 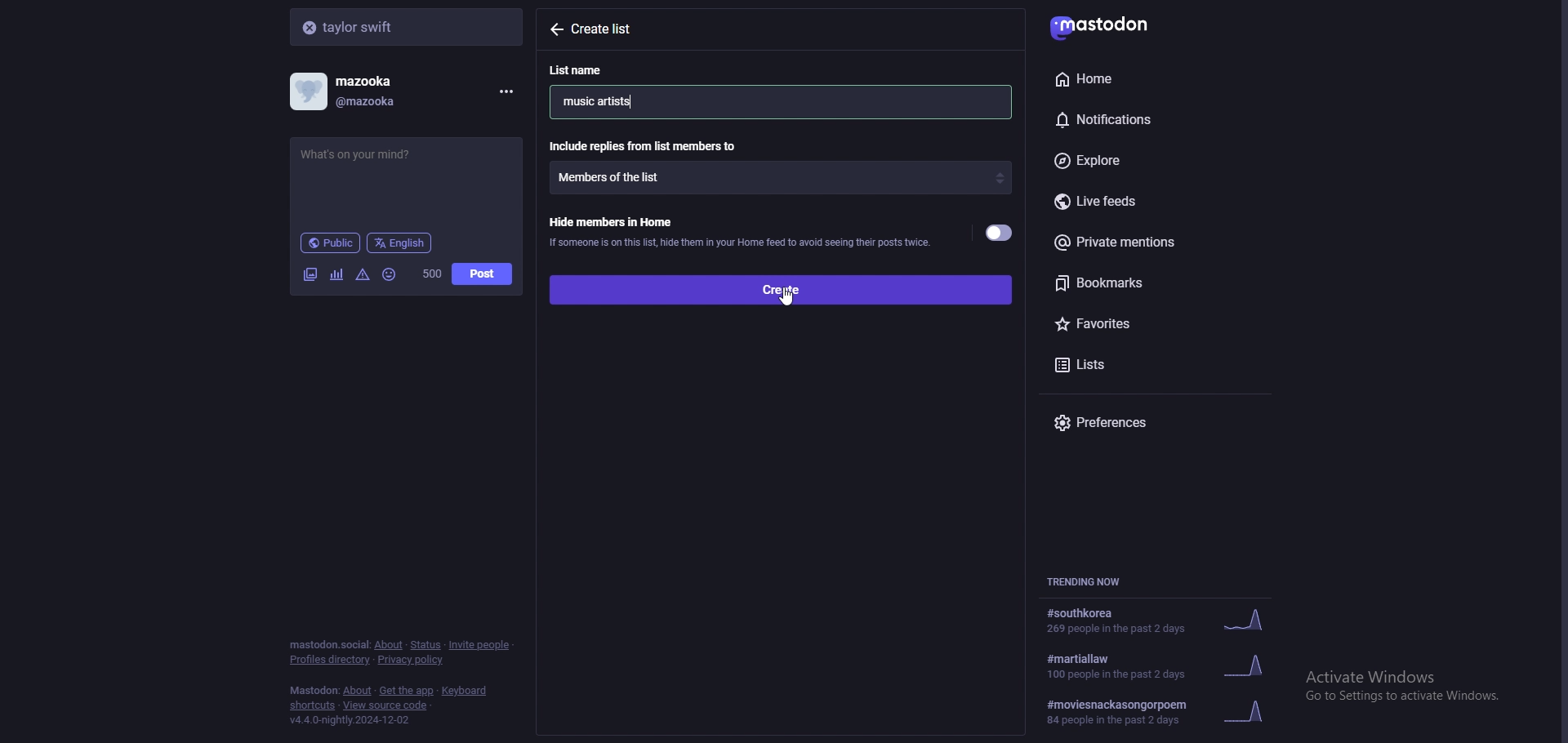 What do you see at coordinates (608, 100) in the screenshot?
I see `list name` at bounding box center [608, 100].